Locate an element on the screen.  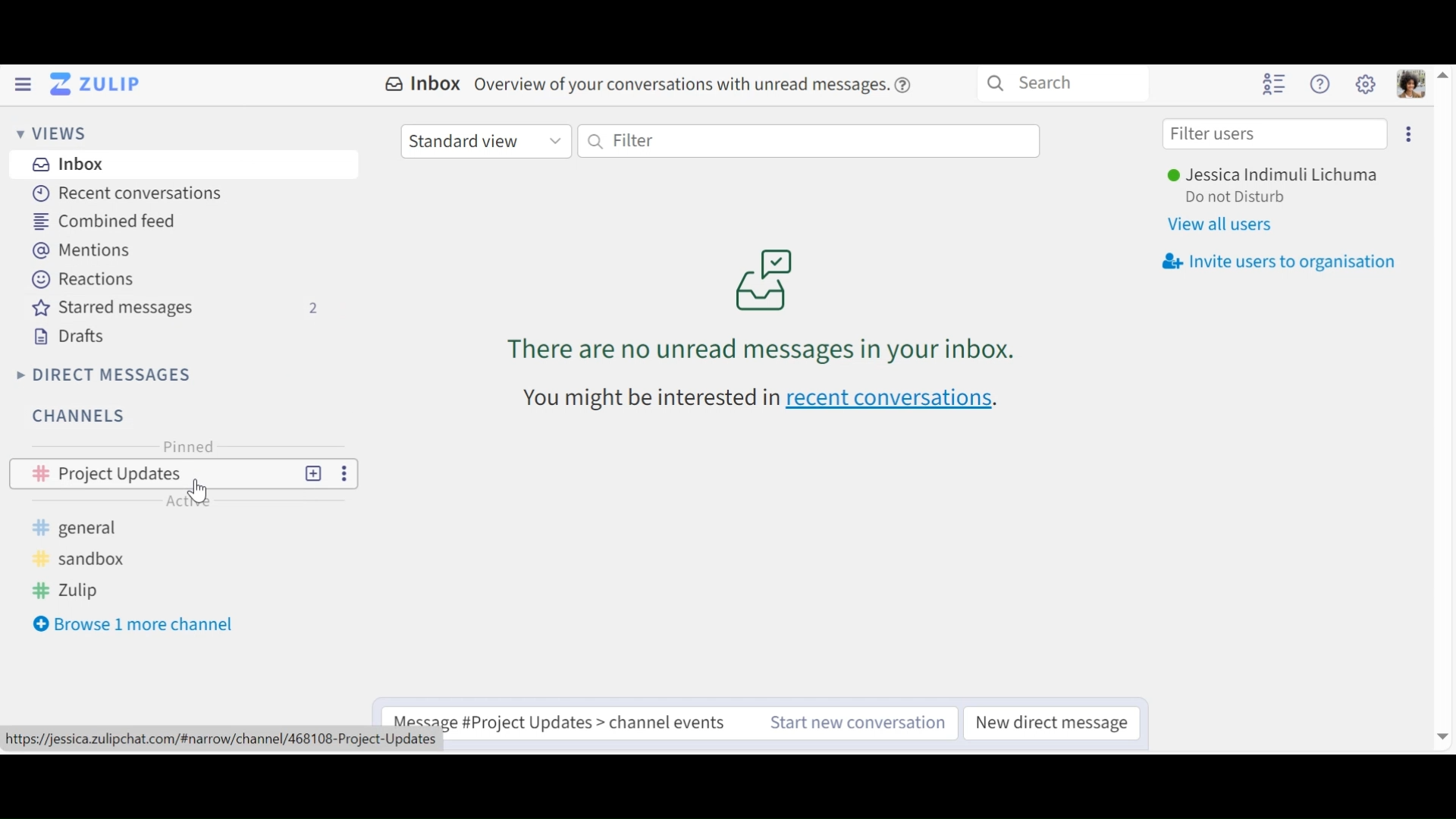
View all users is located at coordinates (1217, 225).